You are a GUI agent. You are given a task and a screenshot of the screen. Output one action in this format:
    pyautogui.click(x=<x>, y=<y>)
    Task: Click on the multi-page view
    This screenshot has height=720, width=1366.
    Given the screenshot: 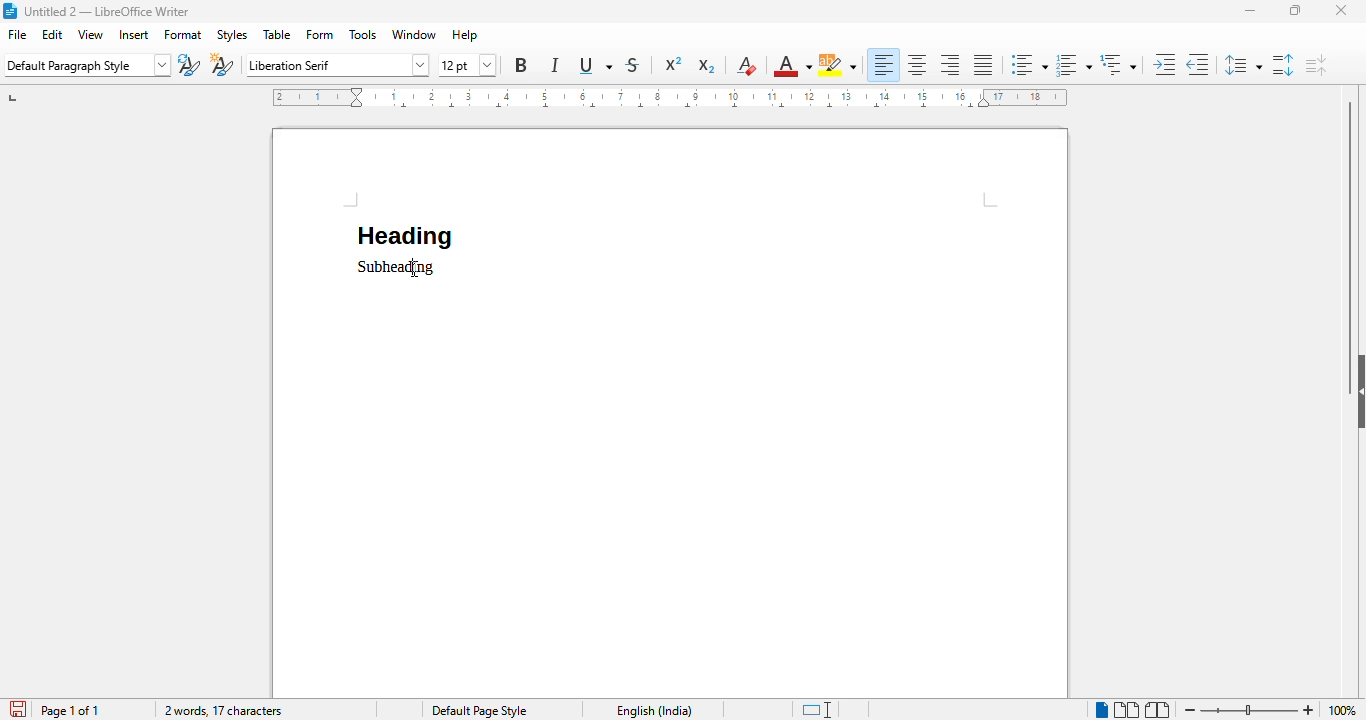 What is the action you would take?
    pyautogui.click(x=1128, y=710)
    